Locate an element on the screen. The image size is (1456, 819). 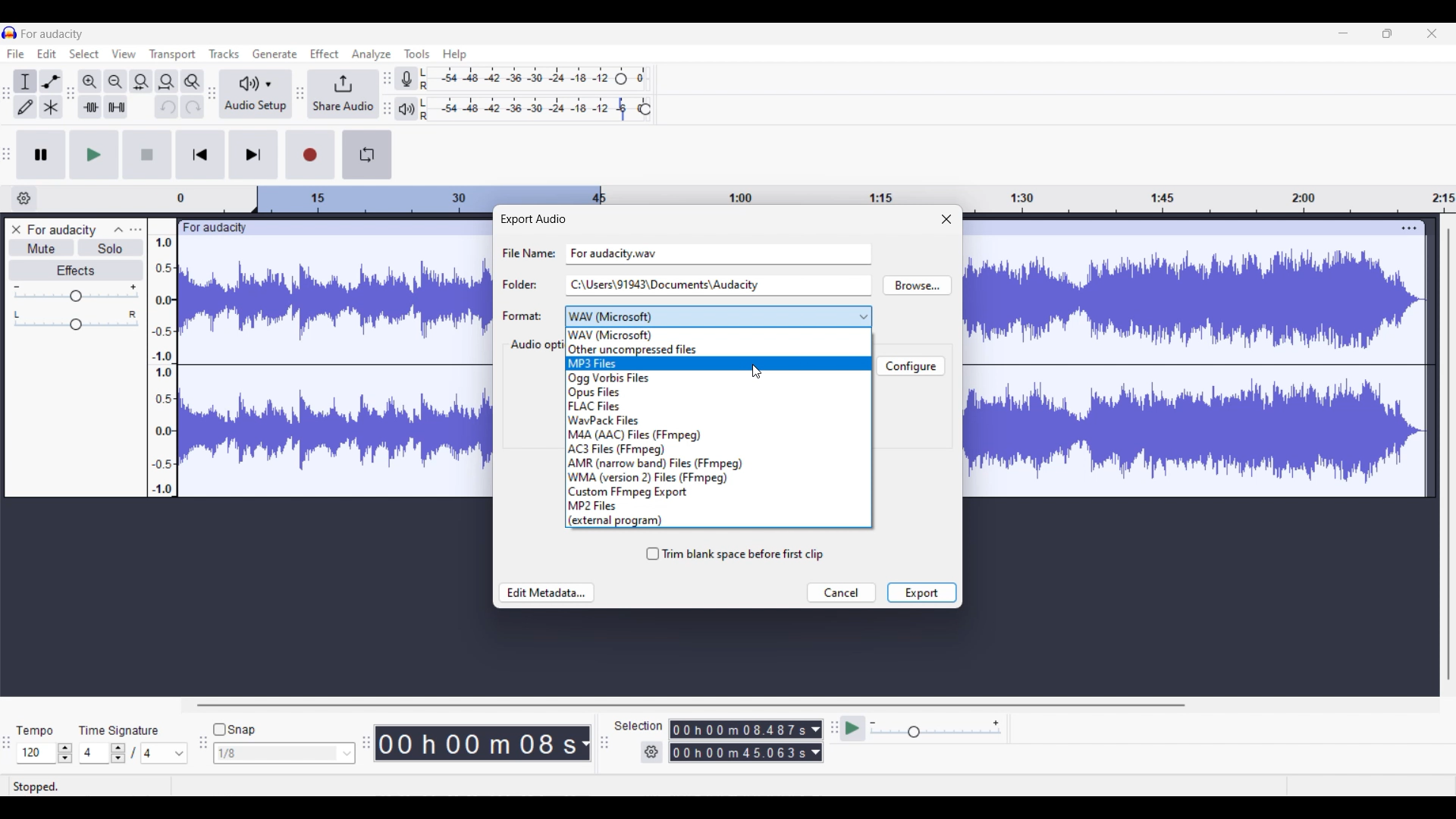
Toggle for trimming blank space  is located at coordinates (735, 554).